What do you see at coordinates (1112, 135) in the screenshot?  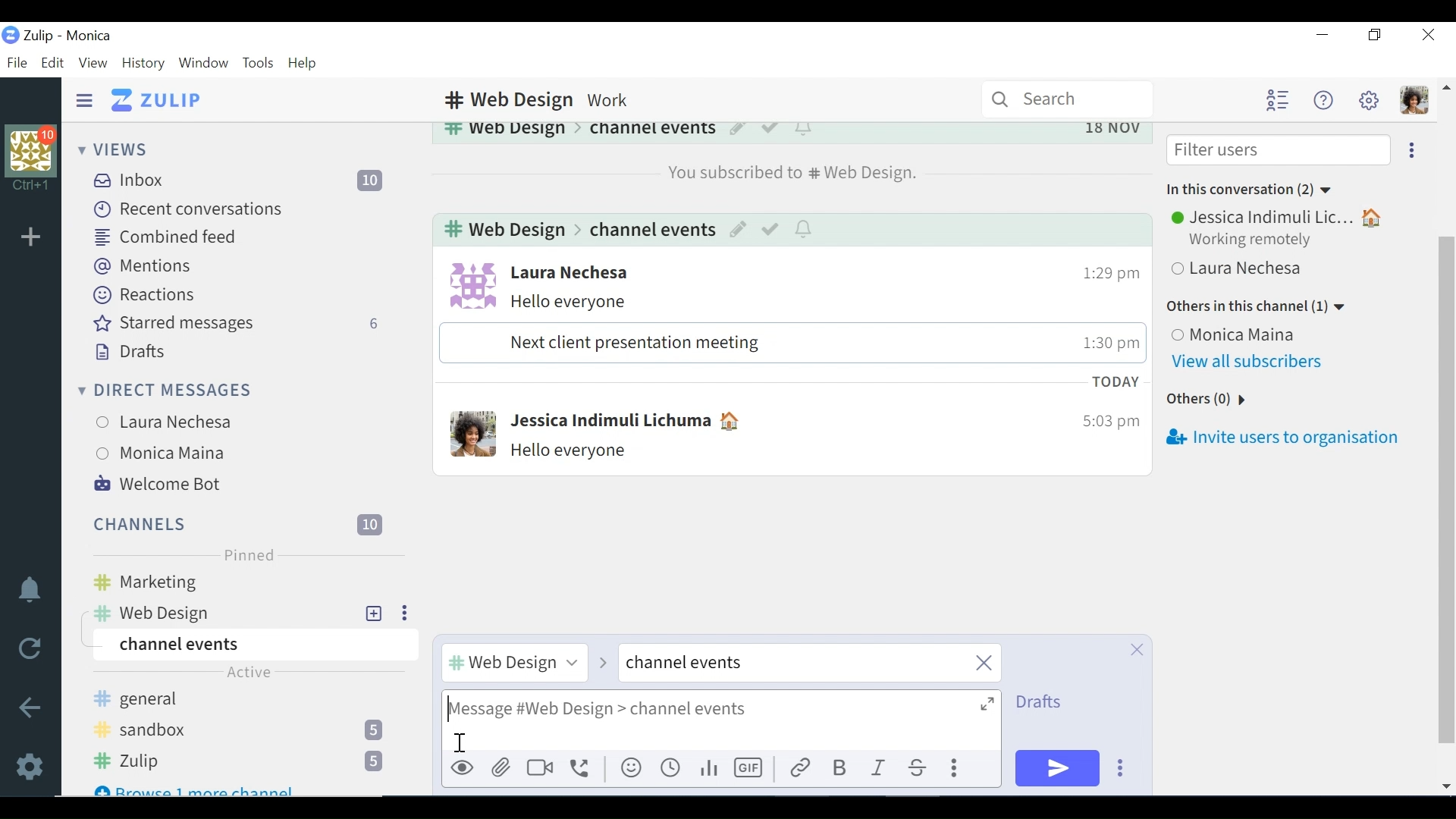 I see `Date` at bounding box center [1112, 135].